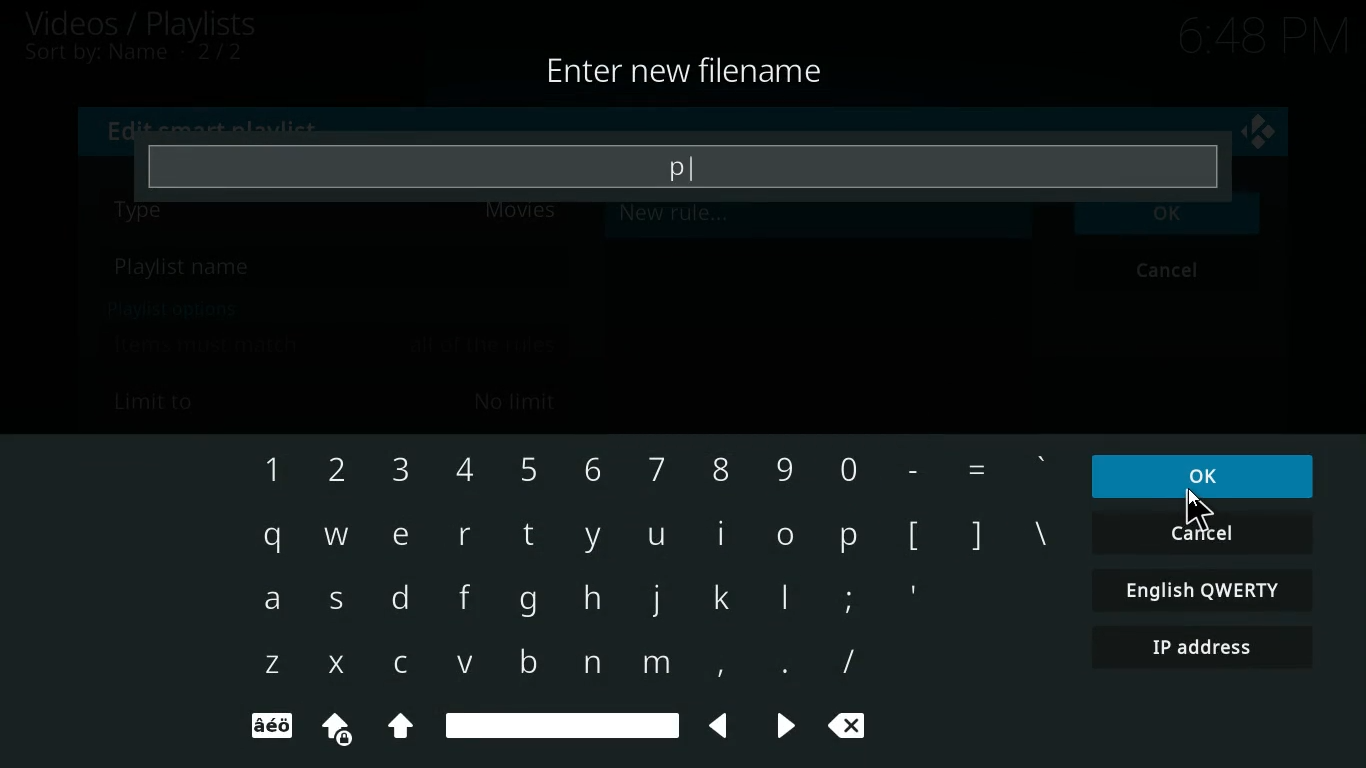 This screenshot has height=768, width=1366. I want to click on ok, so click(1171, 224).